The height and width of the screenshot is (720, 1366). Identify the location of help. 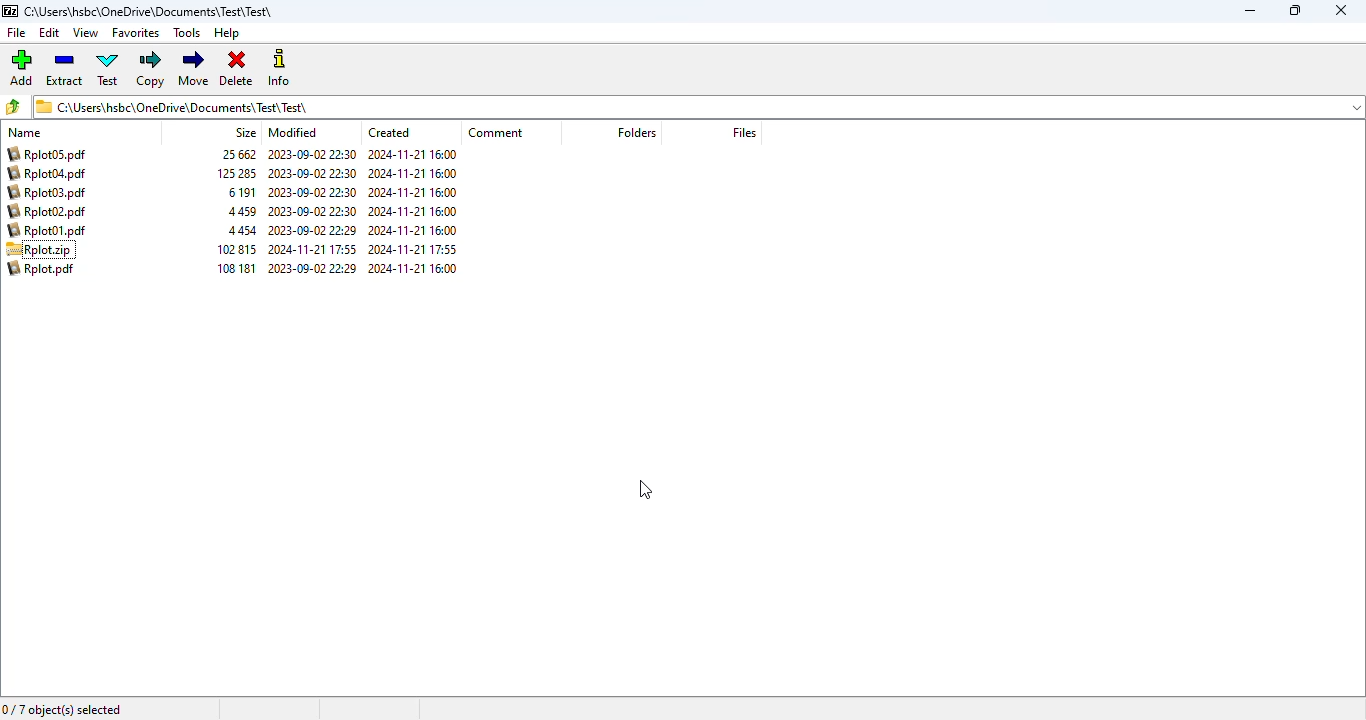
(226, 34).